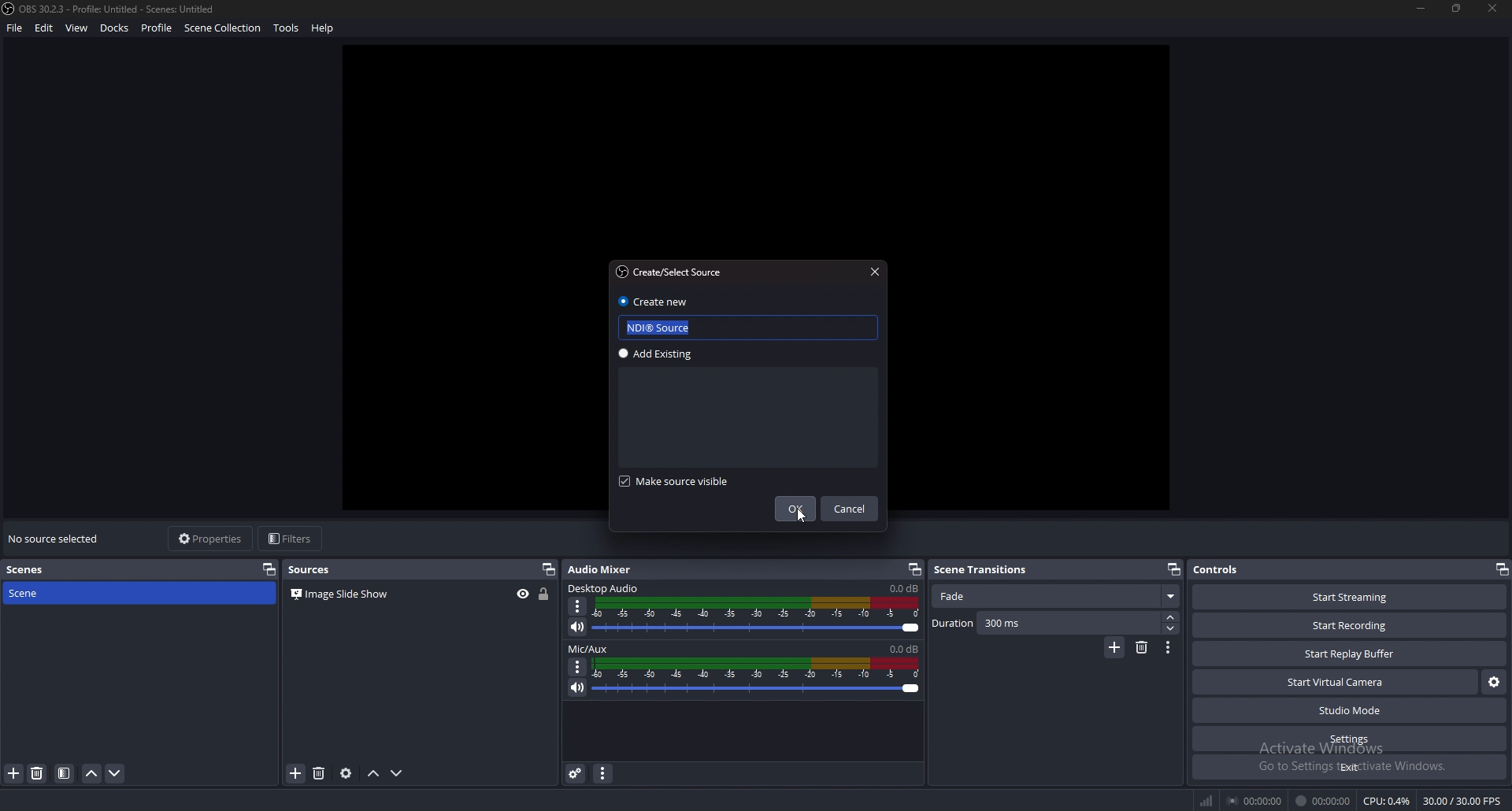  Describe the element at coordinates (15, 28) in the screenshot. I see `file` at that location.